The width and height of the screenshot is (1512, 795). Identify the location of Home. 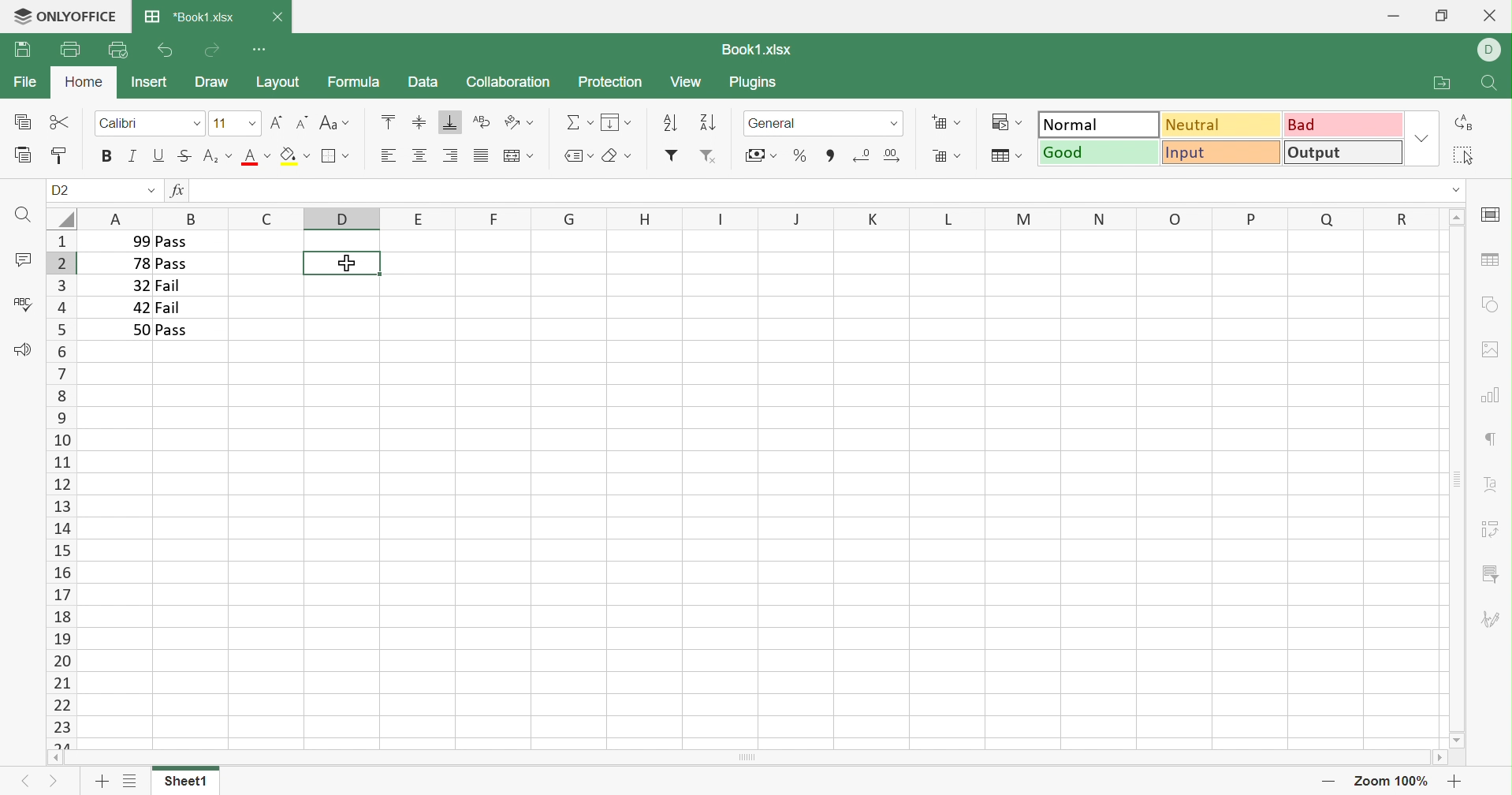
(84, 83).